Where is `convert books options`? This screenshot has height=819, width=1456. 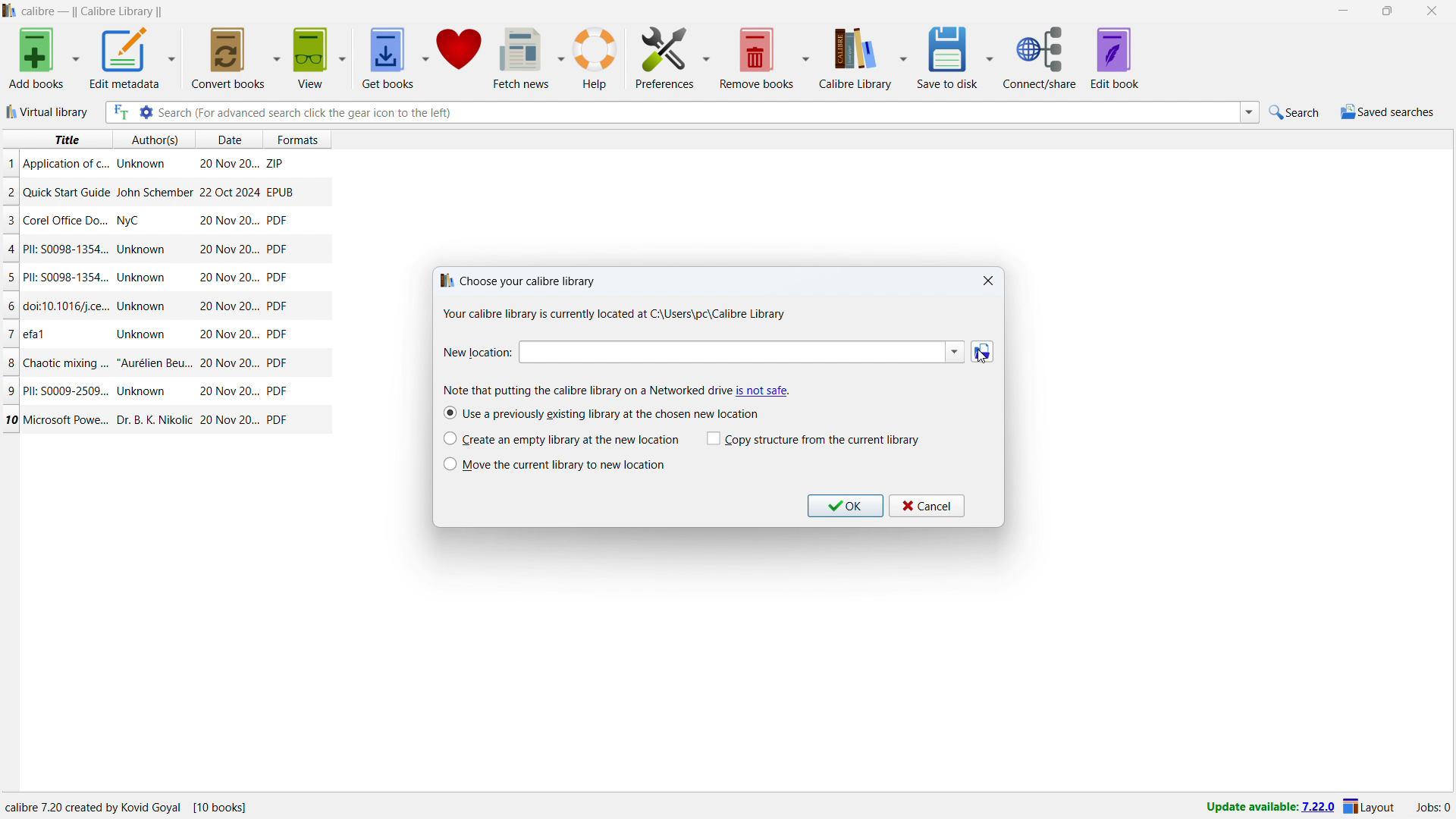
convert books options is located at coordinates (278, 56).